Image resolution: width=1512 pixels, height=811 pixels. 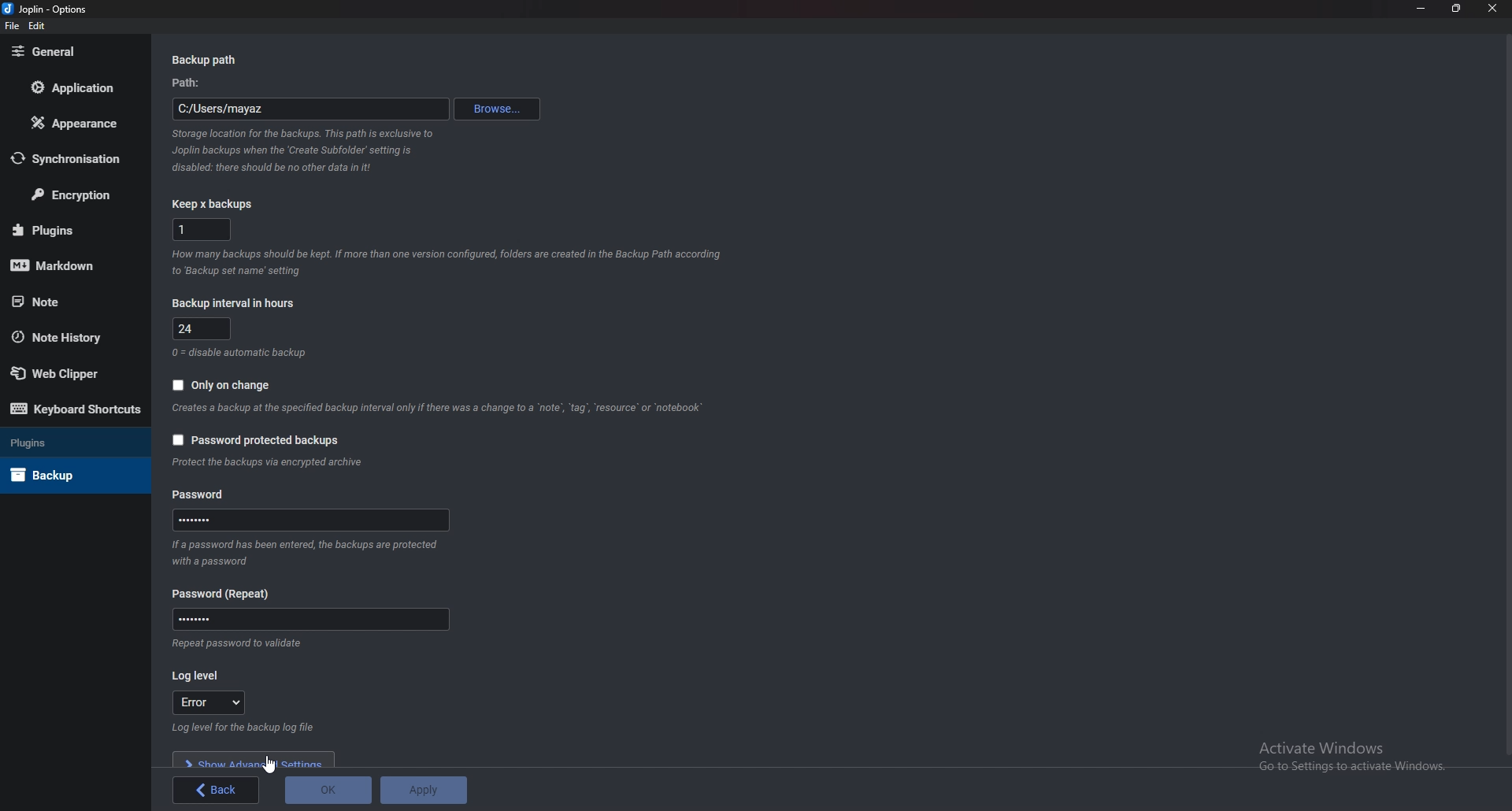 What do you see at coordinates (1508, 394) in the screenshot?
I see `scroll bar` at bounding box center [1508, 394].